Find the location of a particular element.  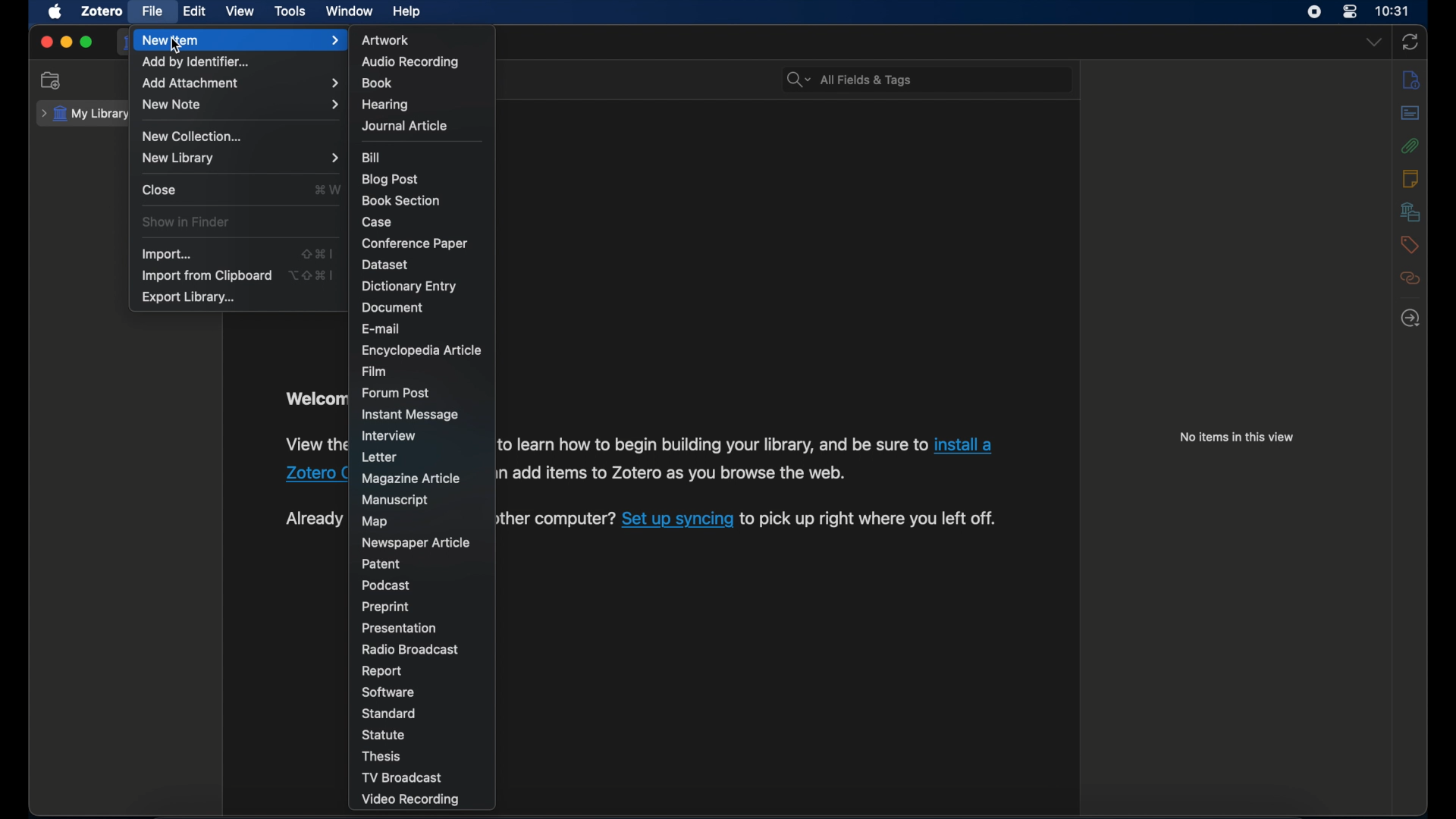

show in finder is located at coordinates (185, 222).